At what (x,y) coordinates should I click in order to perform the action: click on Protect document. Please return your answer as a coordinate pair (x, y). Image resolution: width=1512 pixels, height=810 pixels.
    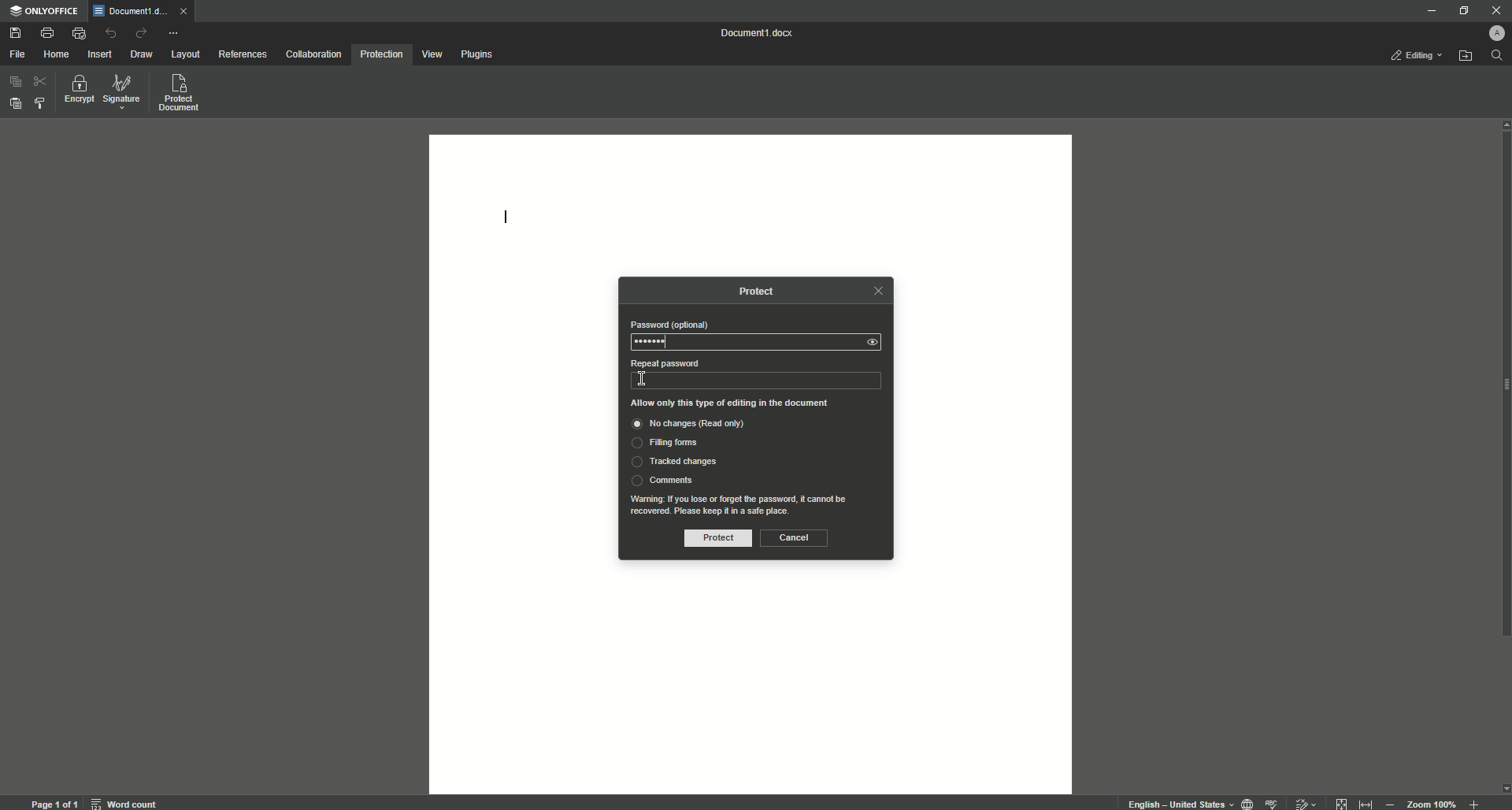
    Looking at the image, I should click on (181, 94).